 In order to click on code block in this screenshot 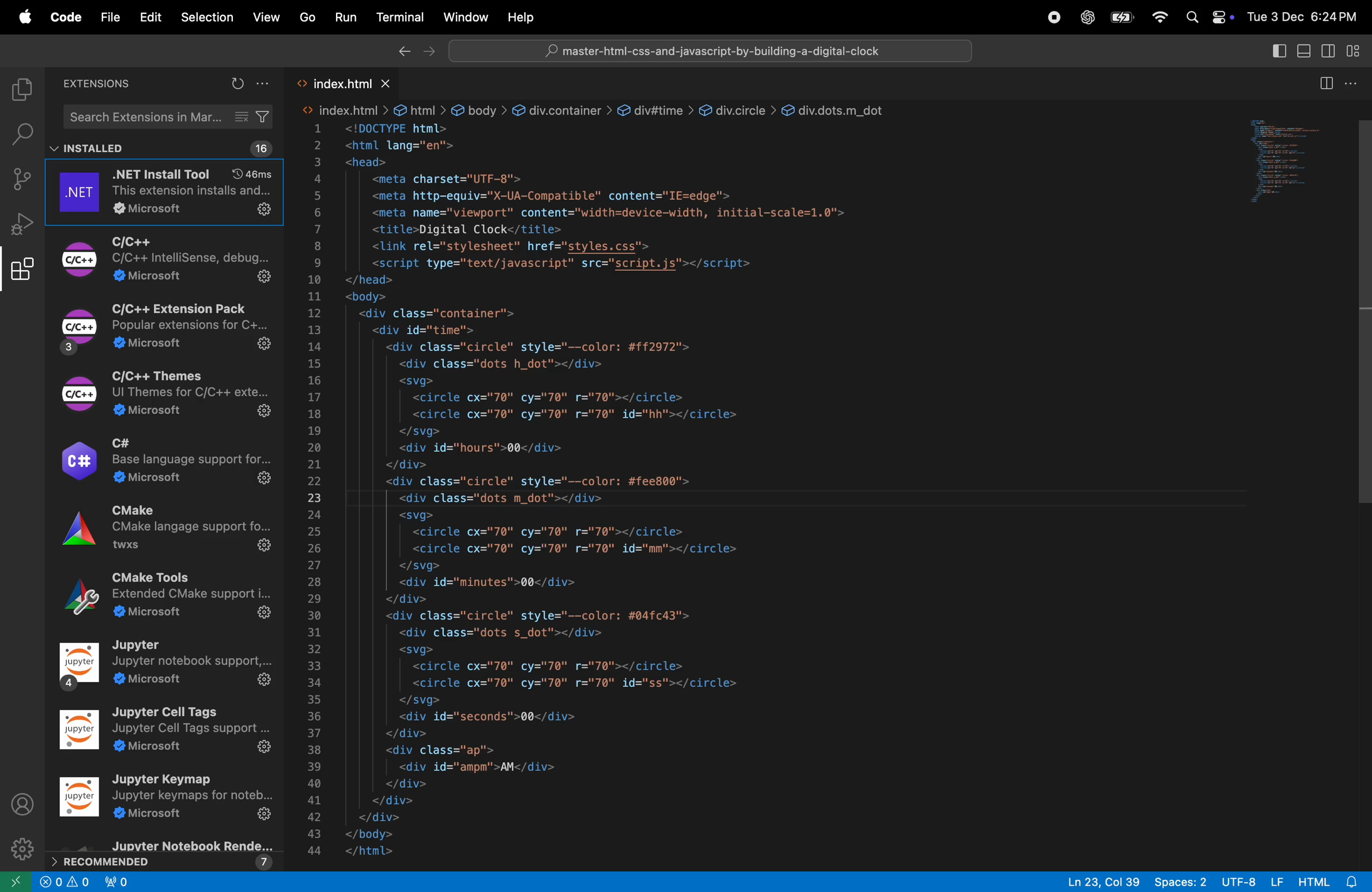, I will do `click(699, 490)`.